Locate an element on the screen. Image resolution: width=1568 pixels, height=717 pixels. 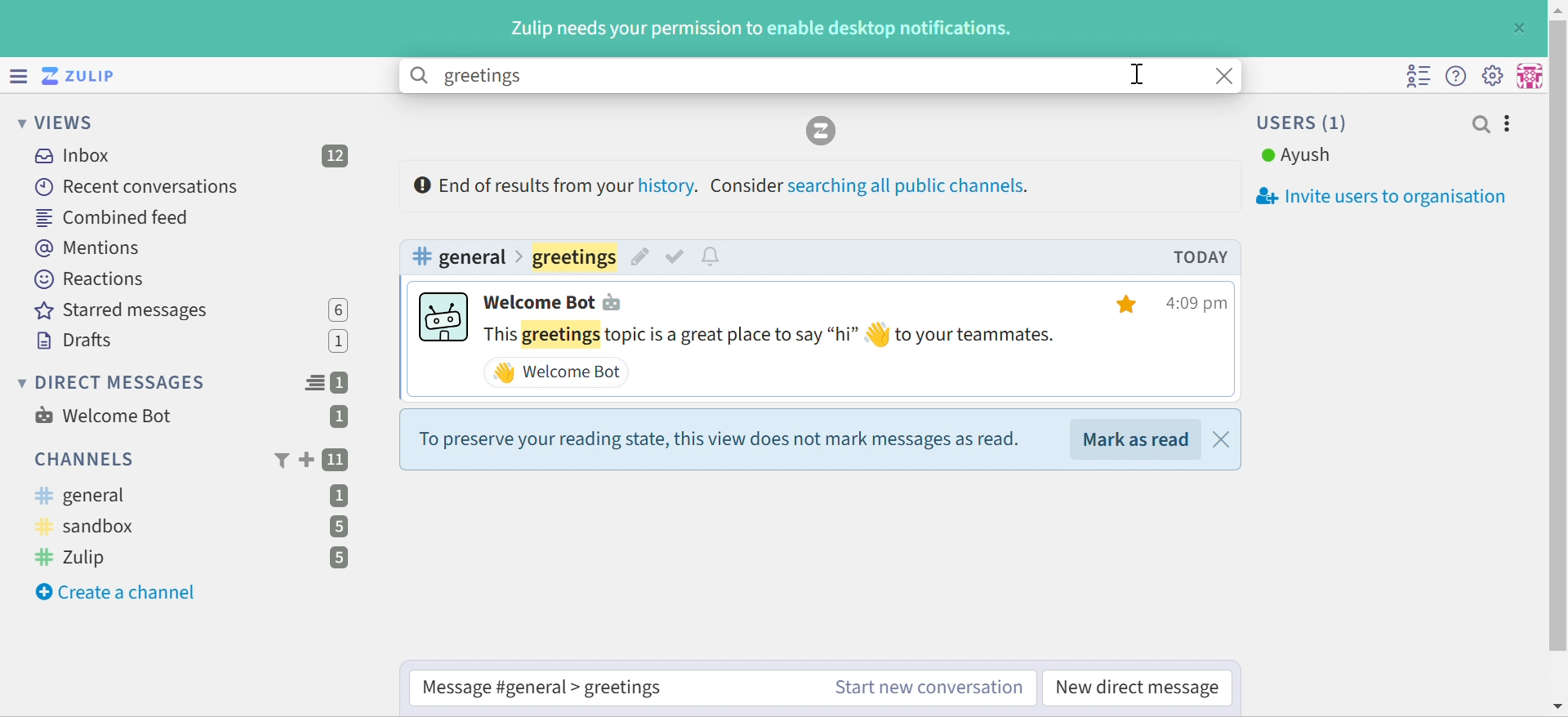
1 is located at coordinates (341, 495).